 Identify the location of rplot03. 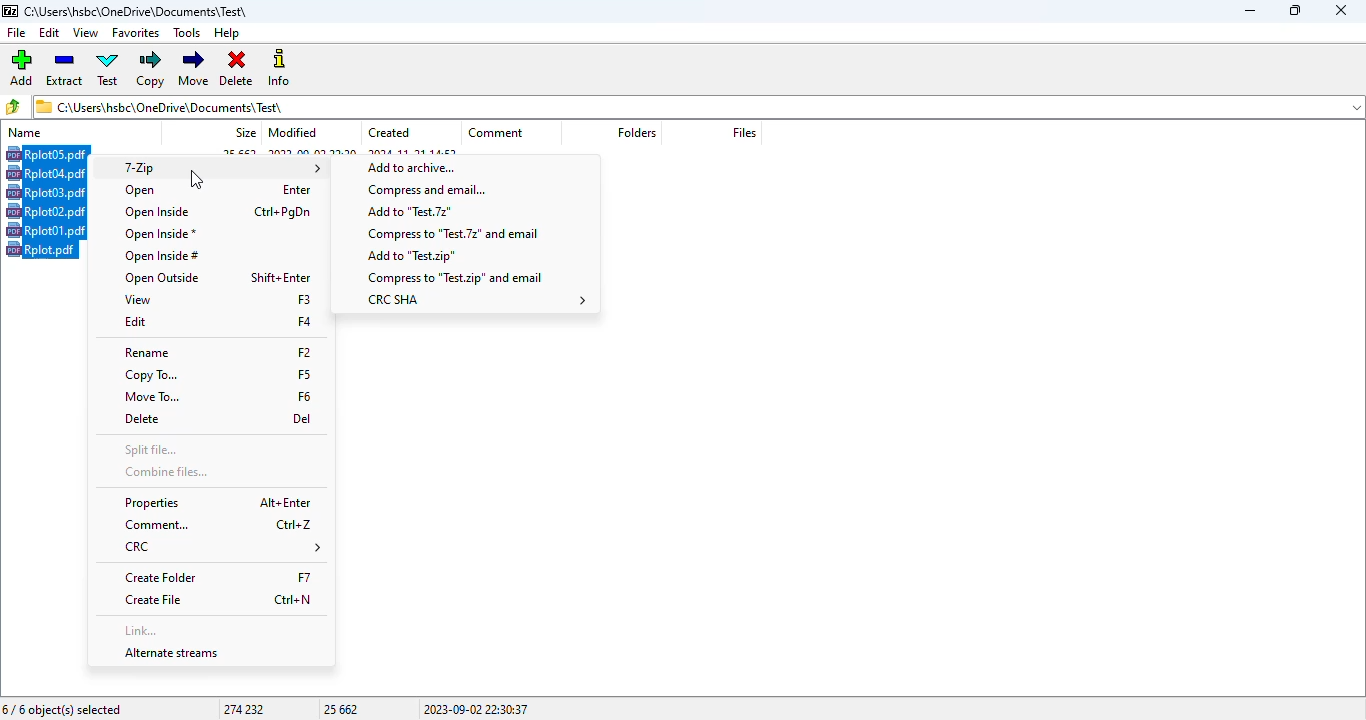
(46, 192).